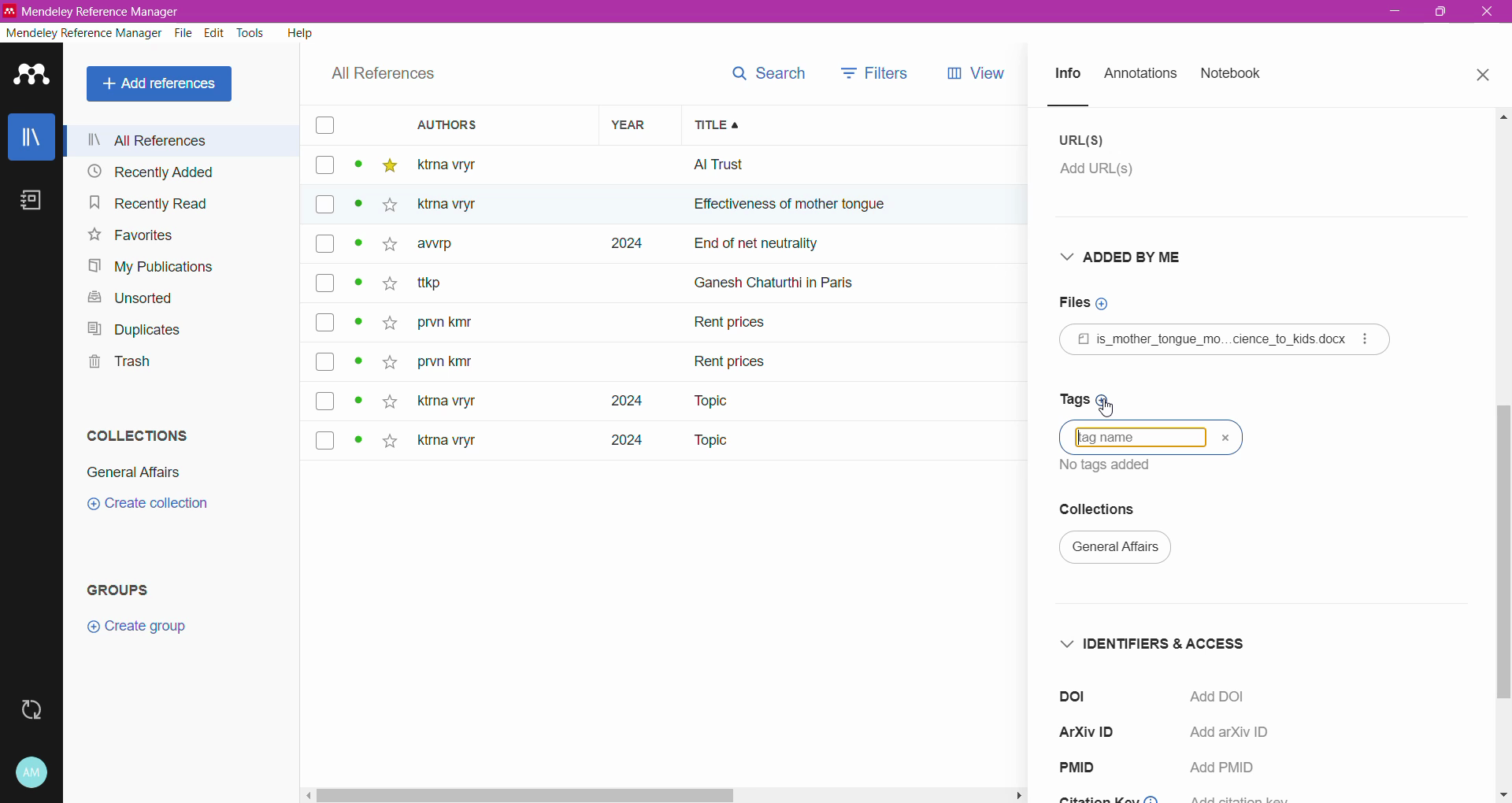  Describe the element at coordinates (792, 276) in the screenshot. I see `ganesh chaturthi in paris ` at that location.